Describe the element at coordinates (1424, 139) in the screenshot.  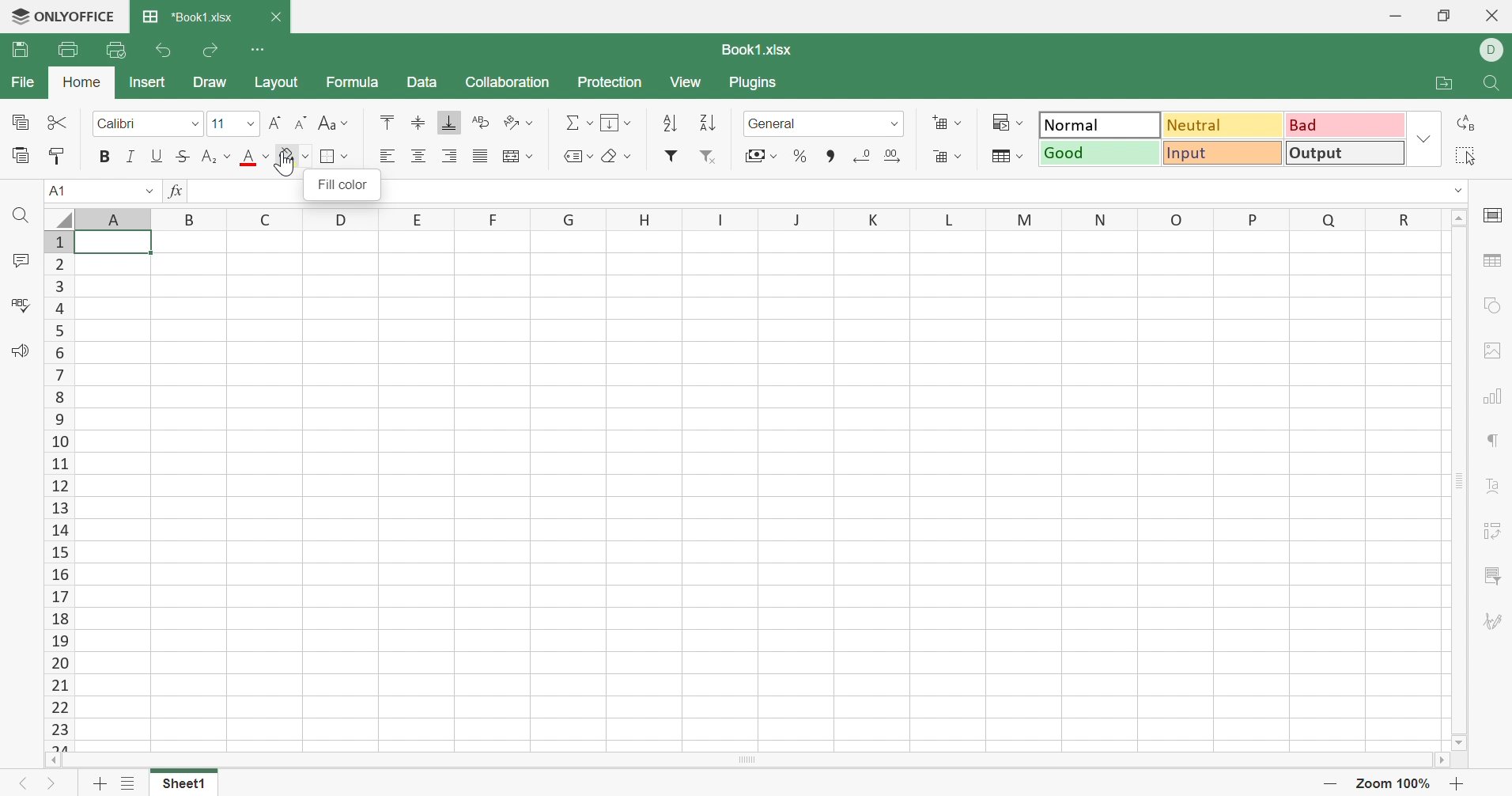
I see `Drop Down` at that location.